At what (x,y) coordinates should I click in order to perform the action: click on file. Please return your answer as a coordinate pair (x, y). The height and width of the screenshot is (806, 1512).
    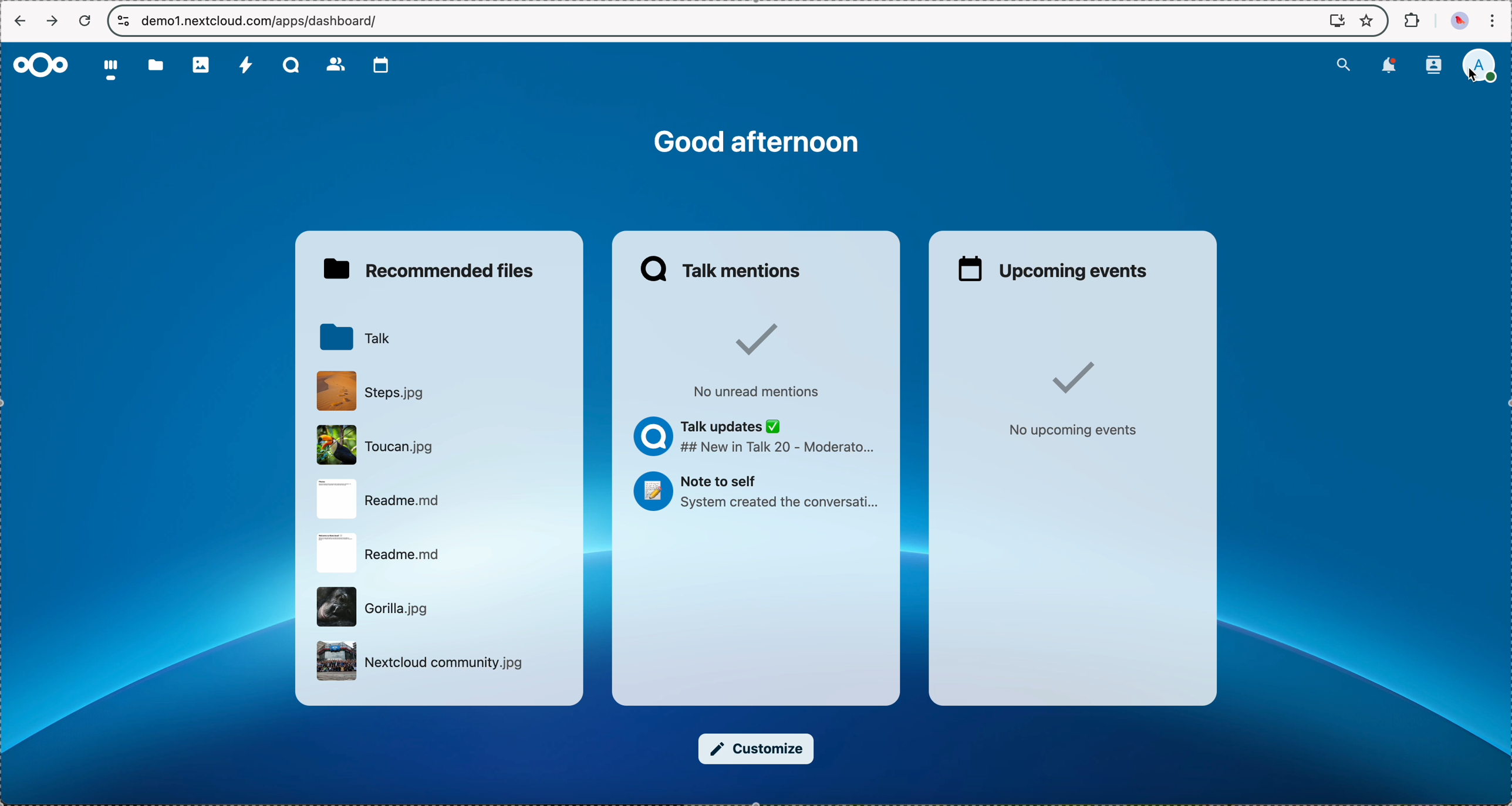
    Looking at the image, I should click on (419, 661).